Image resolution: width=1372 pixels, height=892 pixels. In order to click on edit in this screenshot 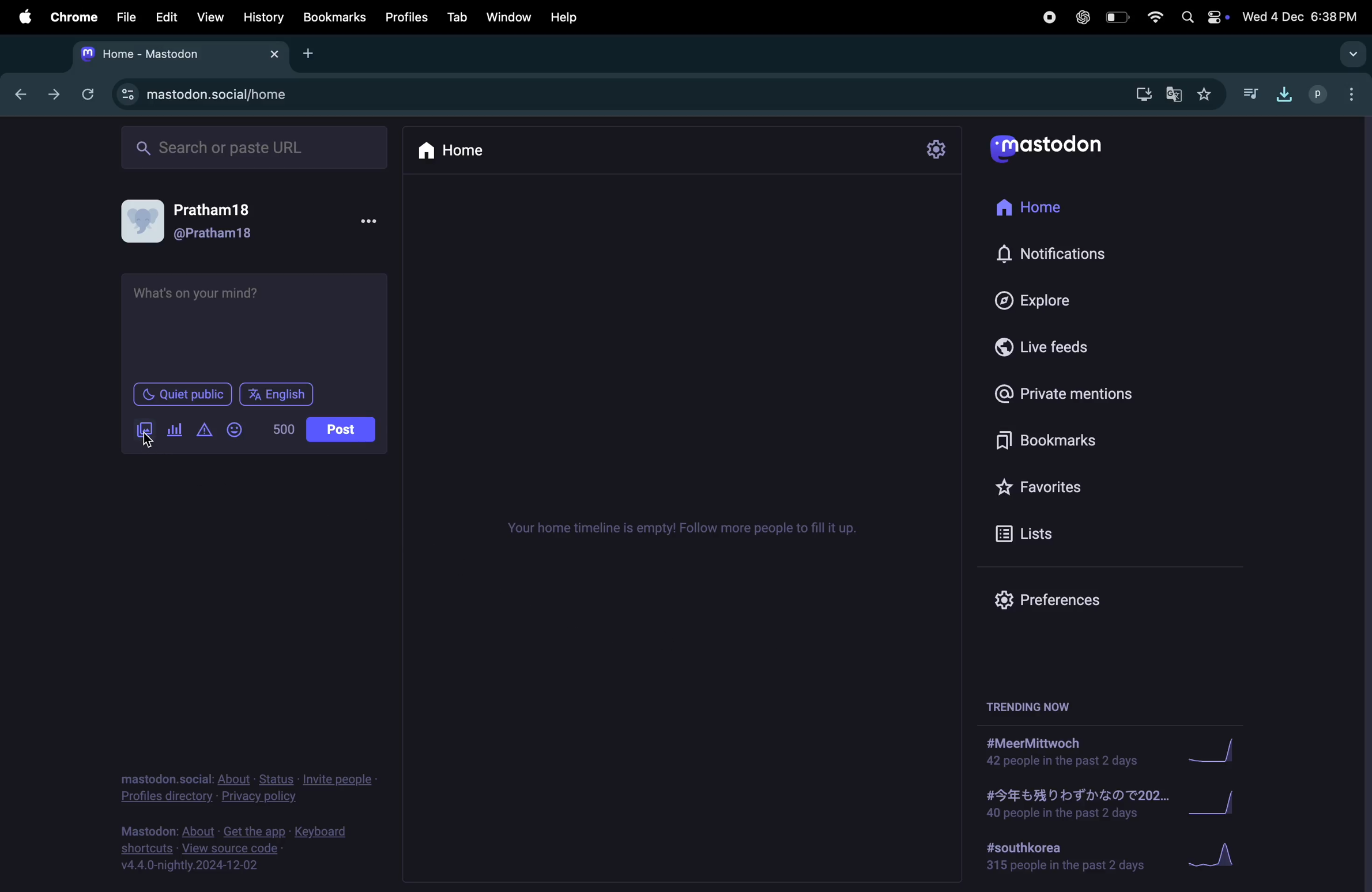, I will do `click(166, 16)`.